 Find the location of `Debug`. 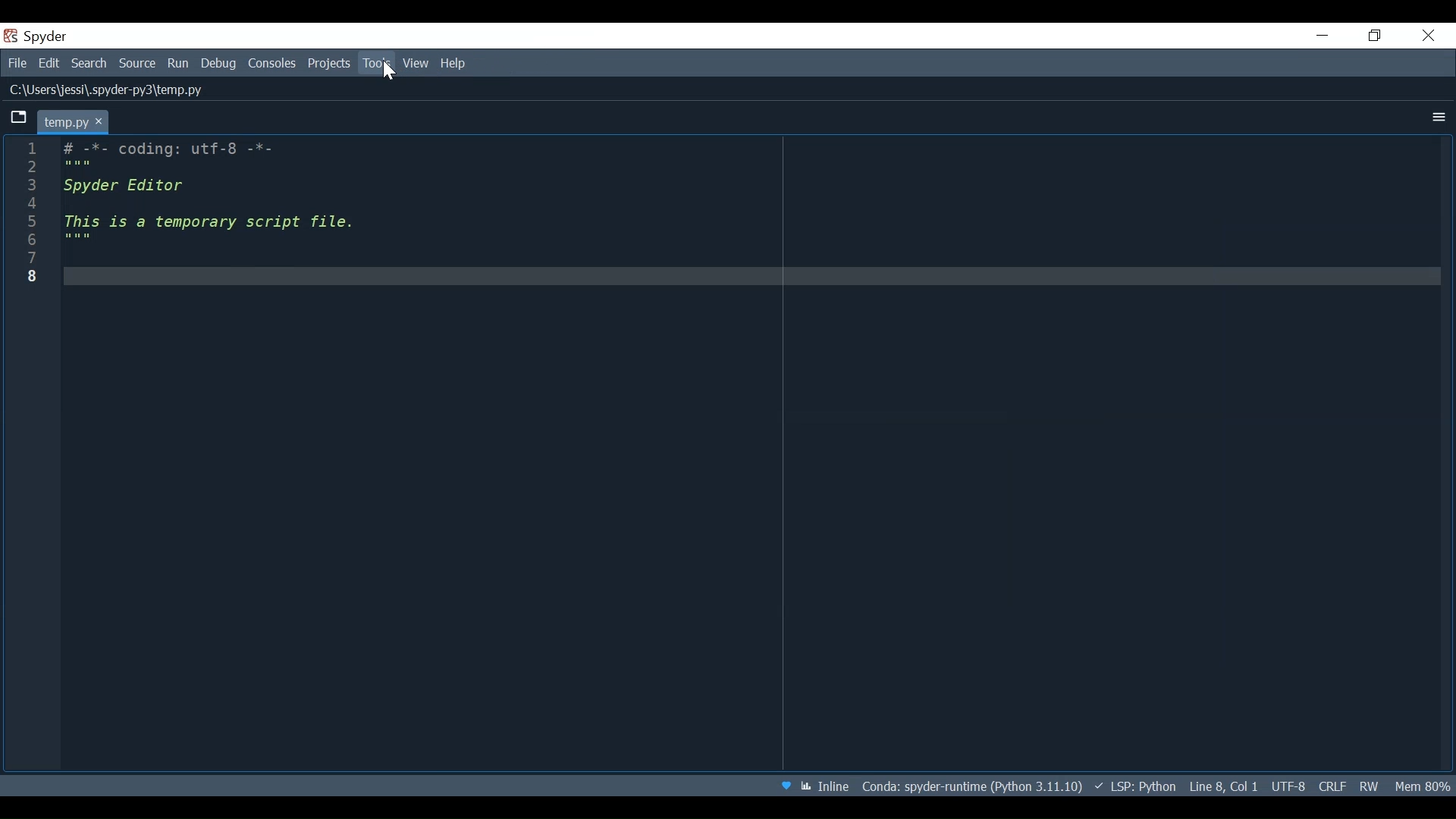

Debug is located at coordinates (214, 63).